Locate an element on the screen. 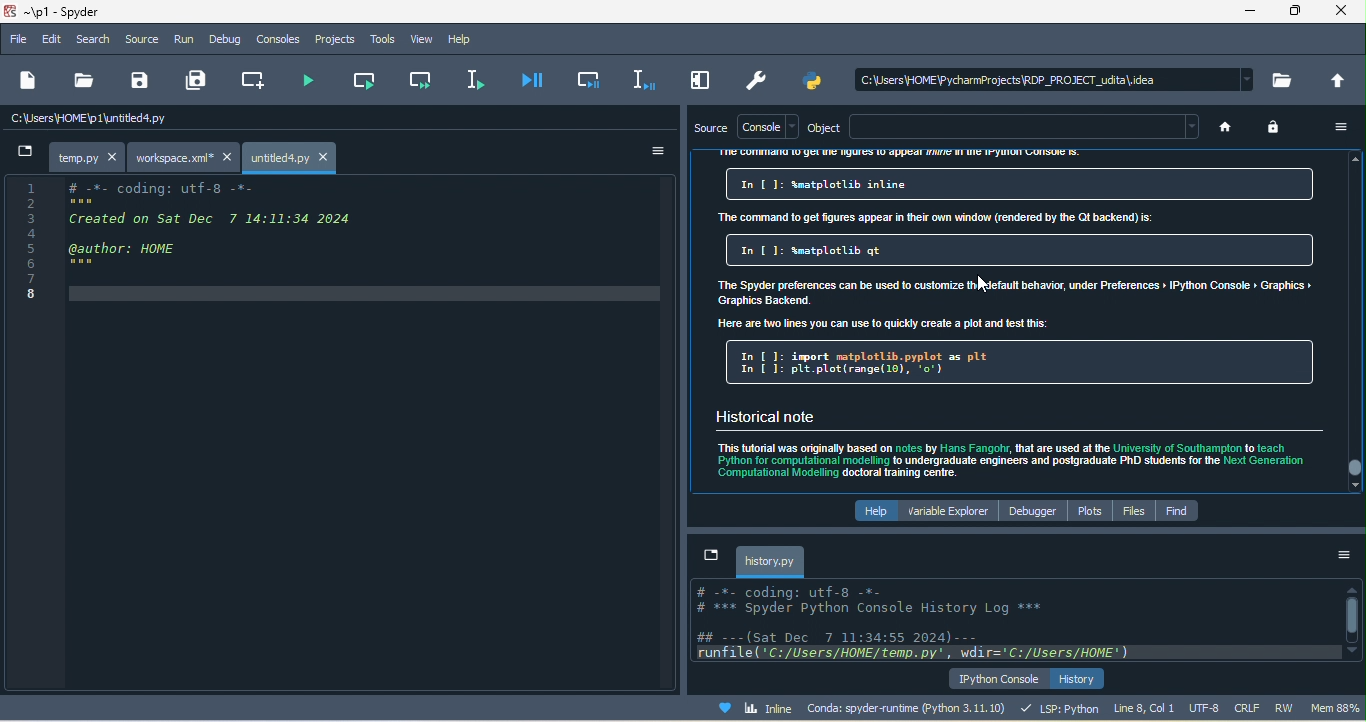 This screenshot has height=722, width=1366. plots is located at coordinates (1091, 512).